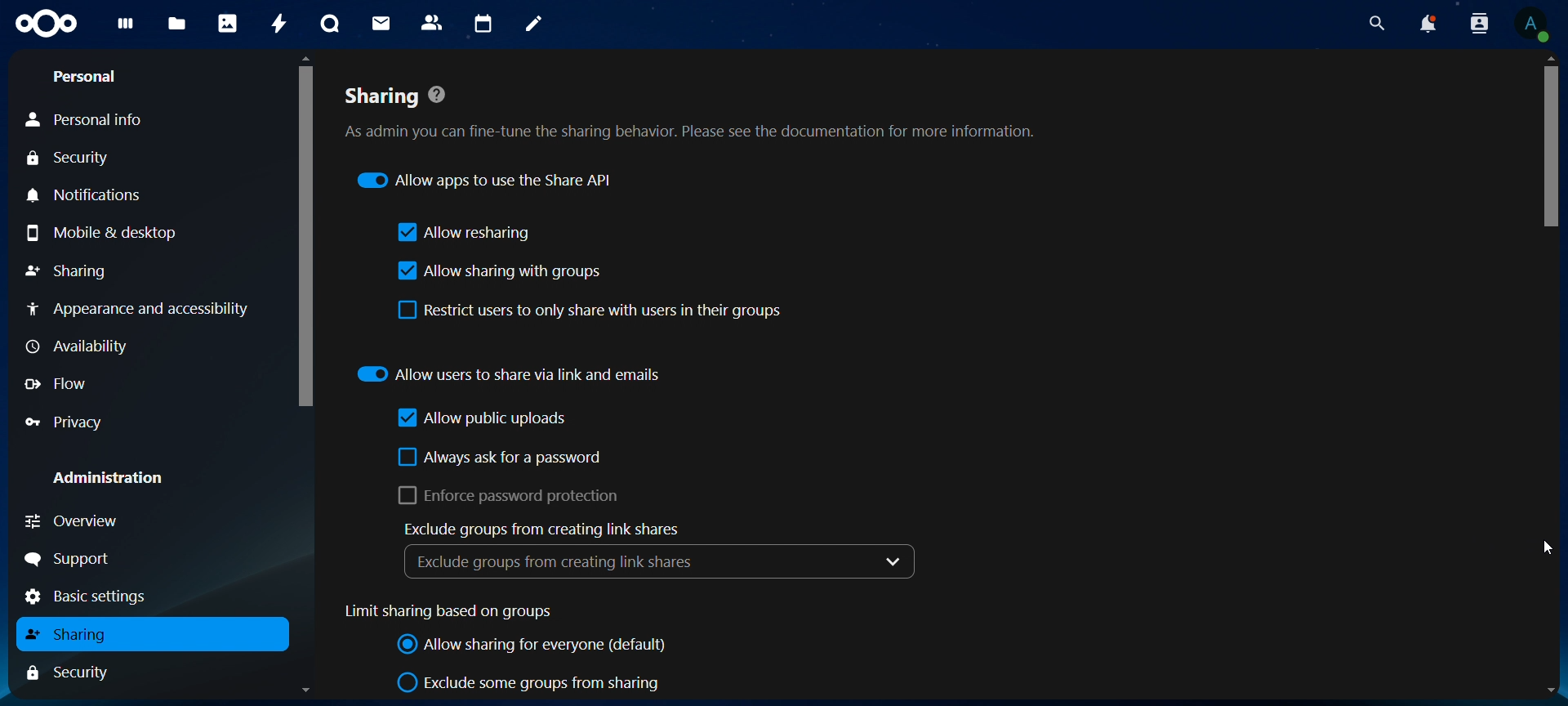 The height and width of the screenshot is (706, 1568). I want to click on basic settings, so click(92, 597).